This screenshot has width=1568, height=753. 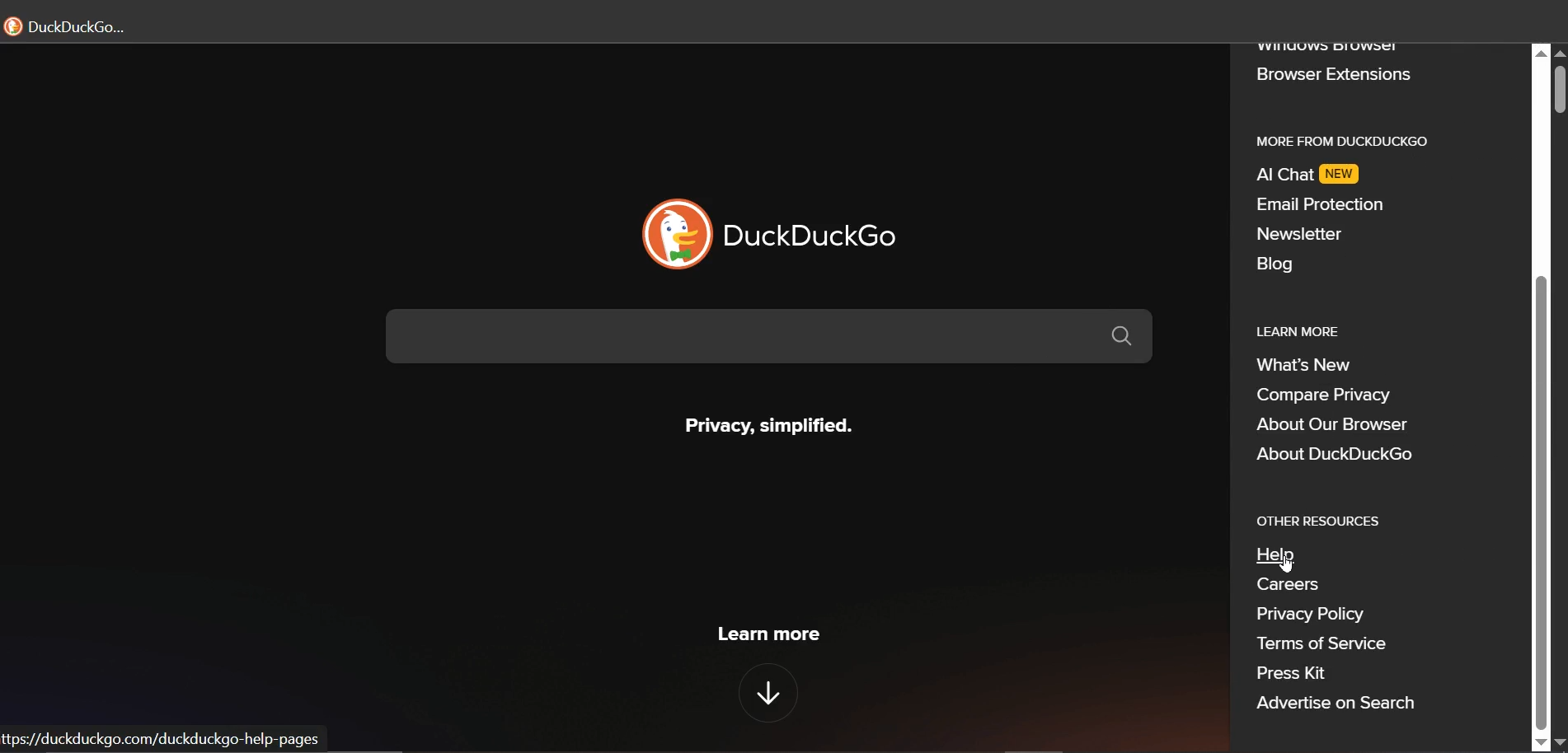 What do you see at coordinates (1299, 671) in the screenshot?
I see `Press kit` at bounding box center [1299, 671].